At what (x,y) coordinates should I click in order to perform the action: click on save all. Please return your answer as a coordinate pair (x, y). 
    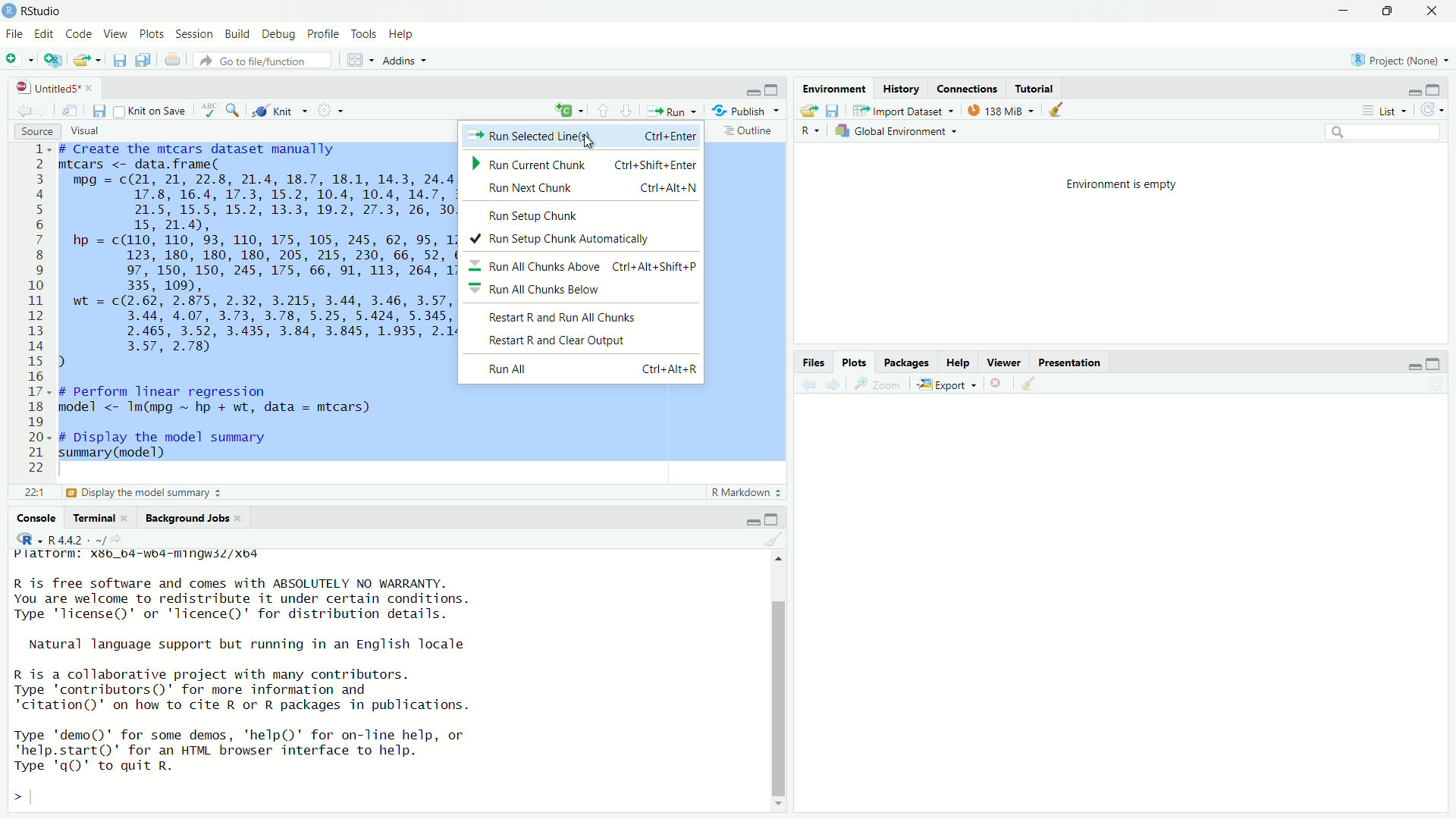
    Looking at the image, I should click on (146, 59).